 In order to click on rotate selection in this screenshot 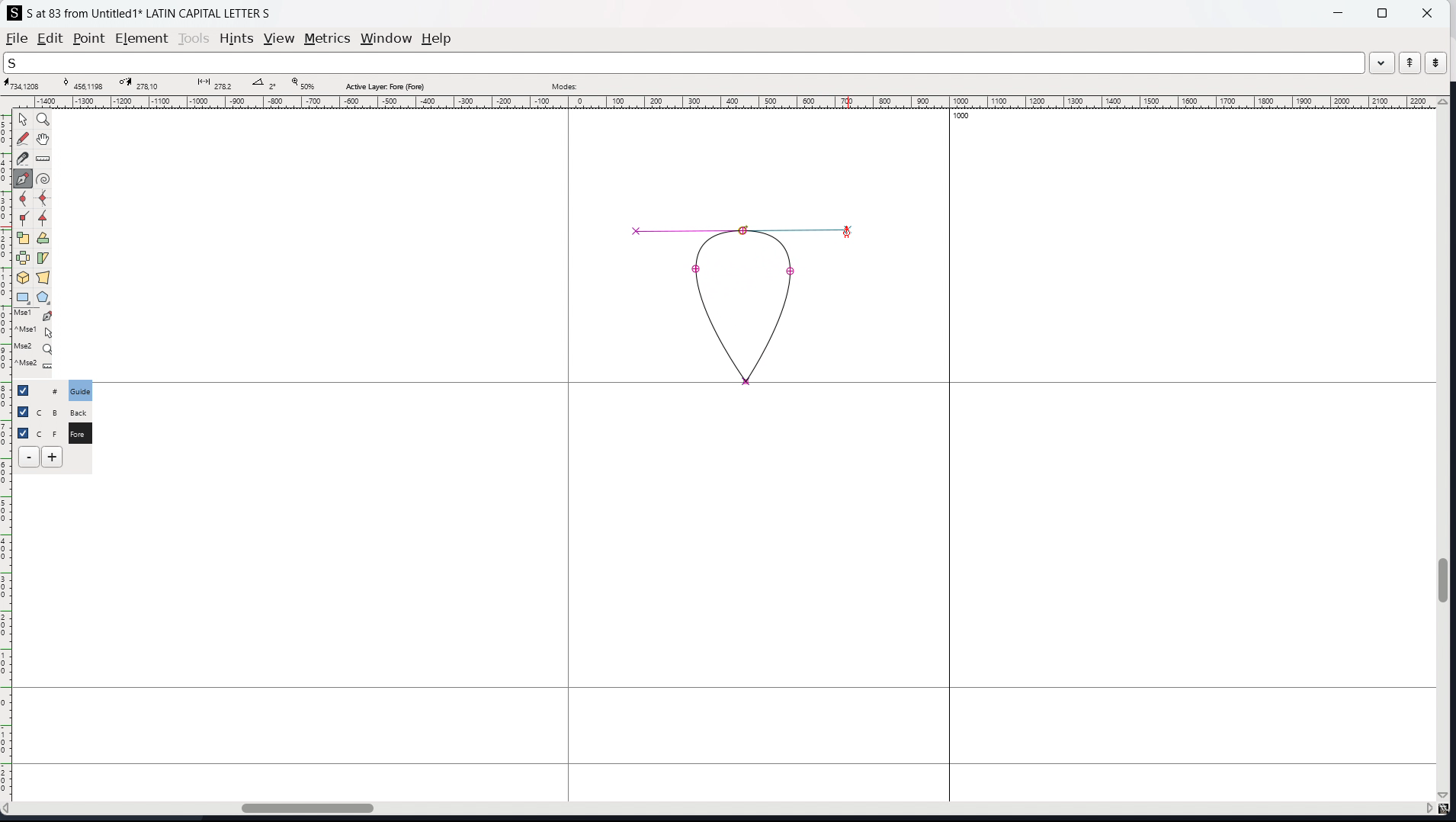, I will do `click(43, 239)`.